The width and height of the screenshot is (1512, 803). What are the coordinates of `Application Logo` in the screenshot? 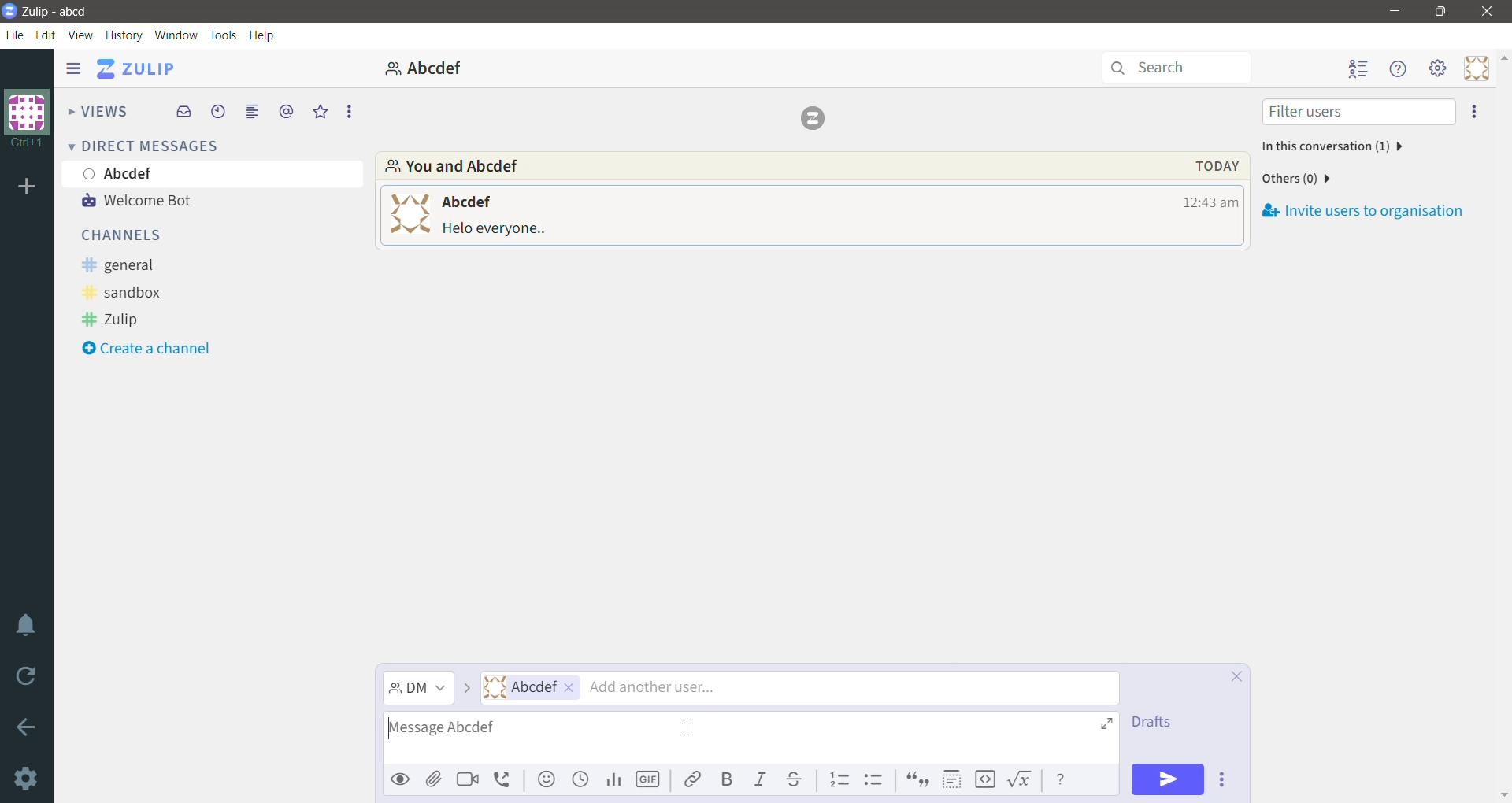 It's located at (9, 13).